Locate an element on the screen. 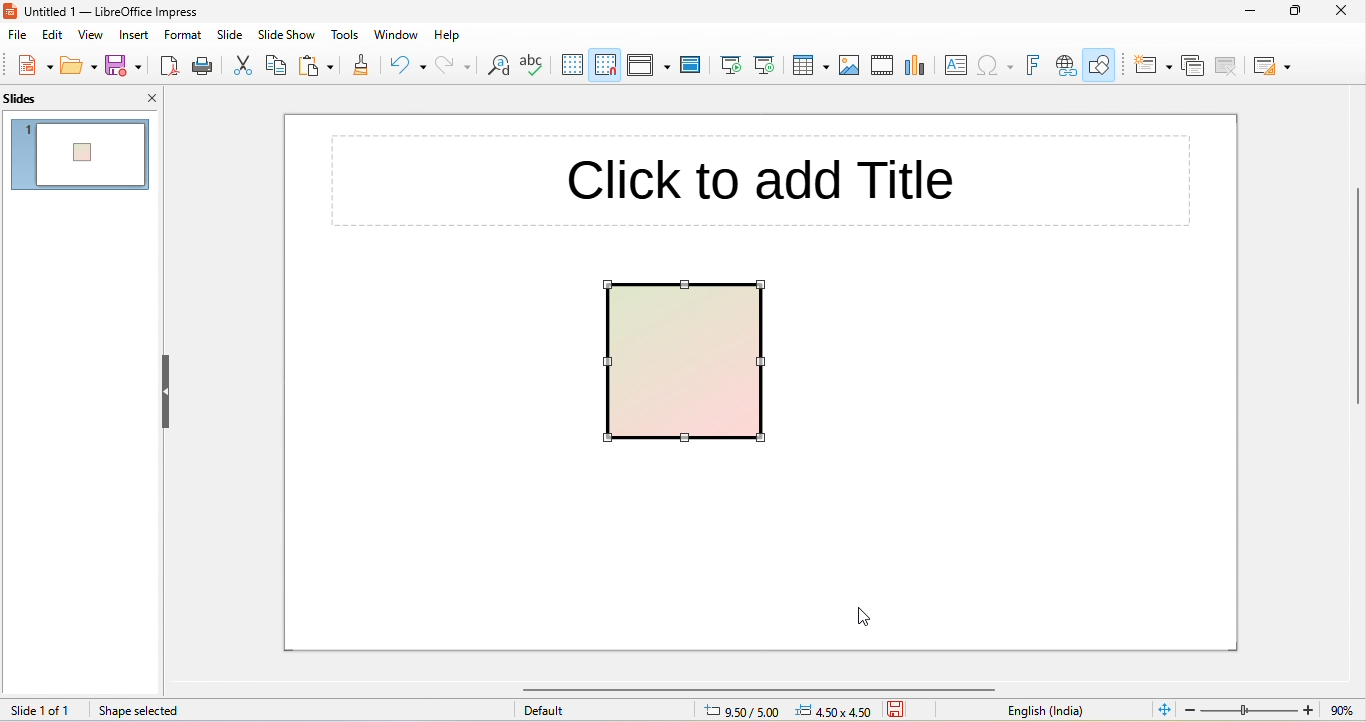 This screenshot has width=1366, height=722. clone is located at coordinates (359, 64).